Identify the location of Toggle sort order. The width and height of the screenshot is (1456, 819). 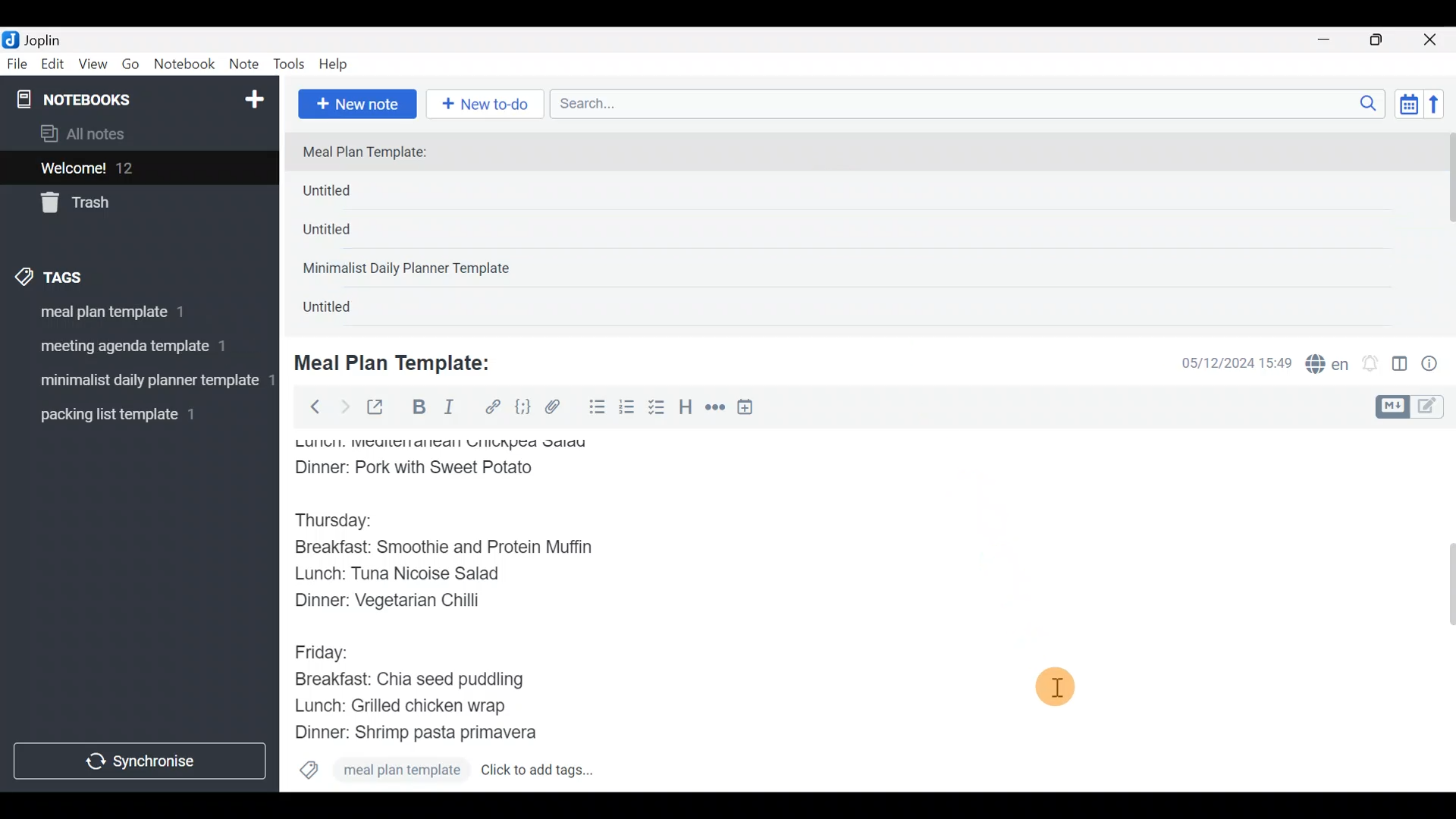
(1408, 105).